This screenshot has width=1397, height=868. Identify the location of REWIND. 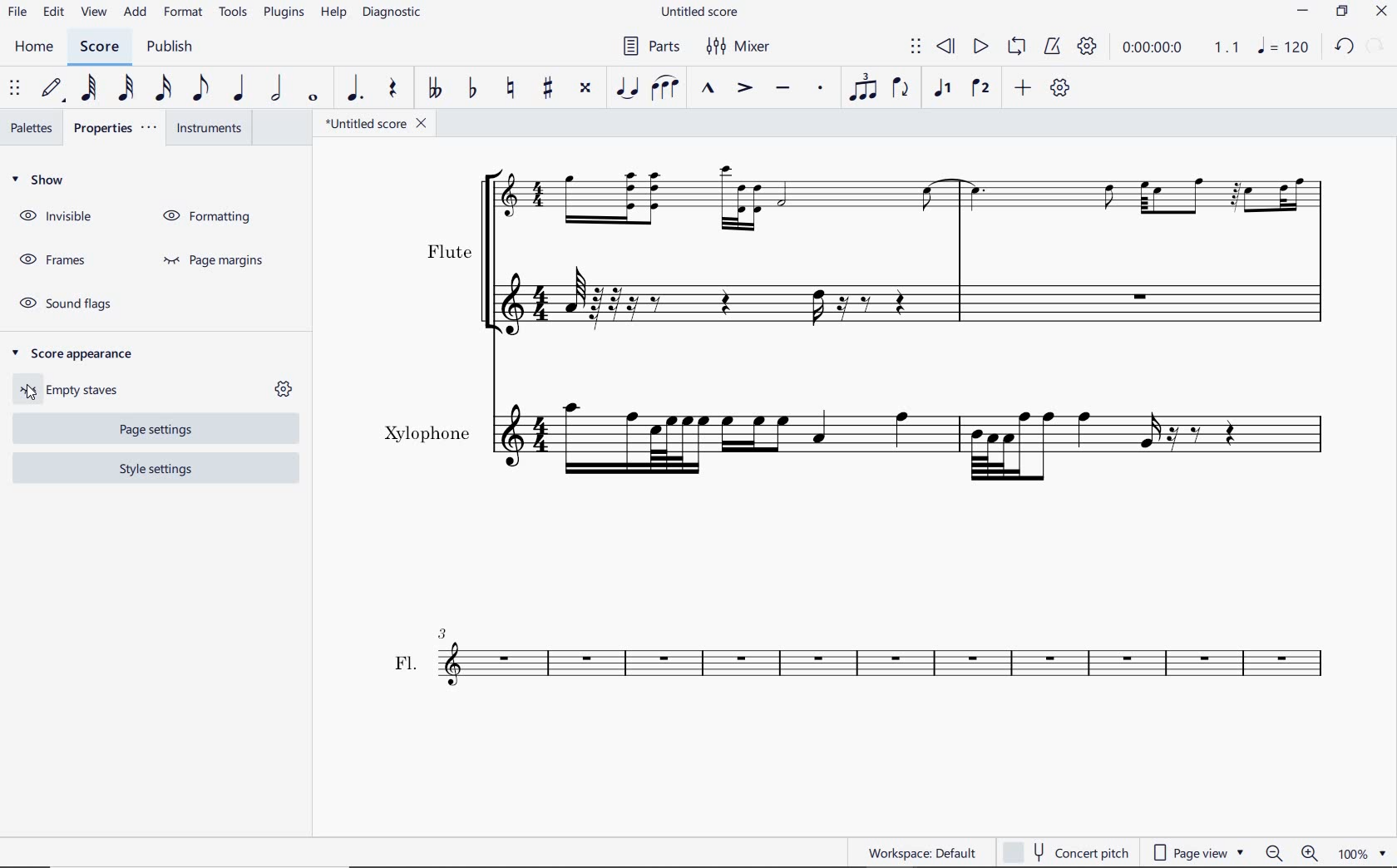
(945, 47).